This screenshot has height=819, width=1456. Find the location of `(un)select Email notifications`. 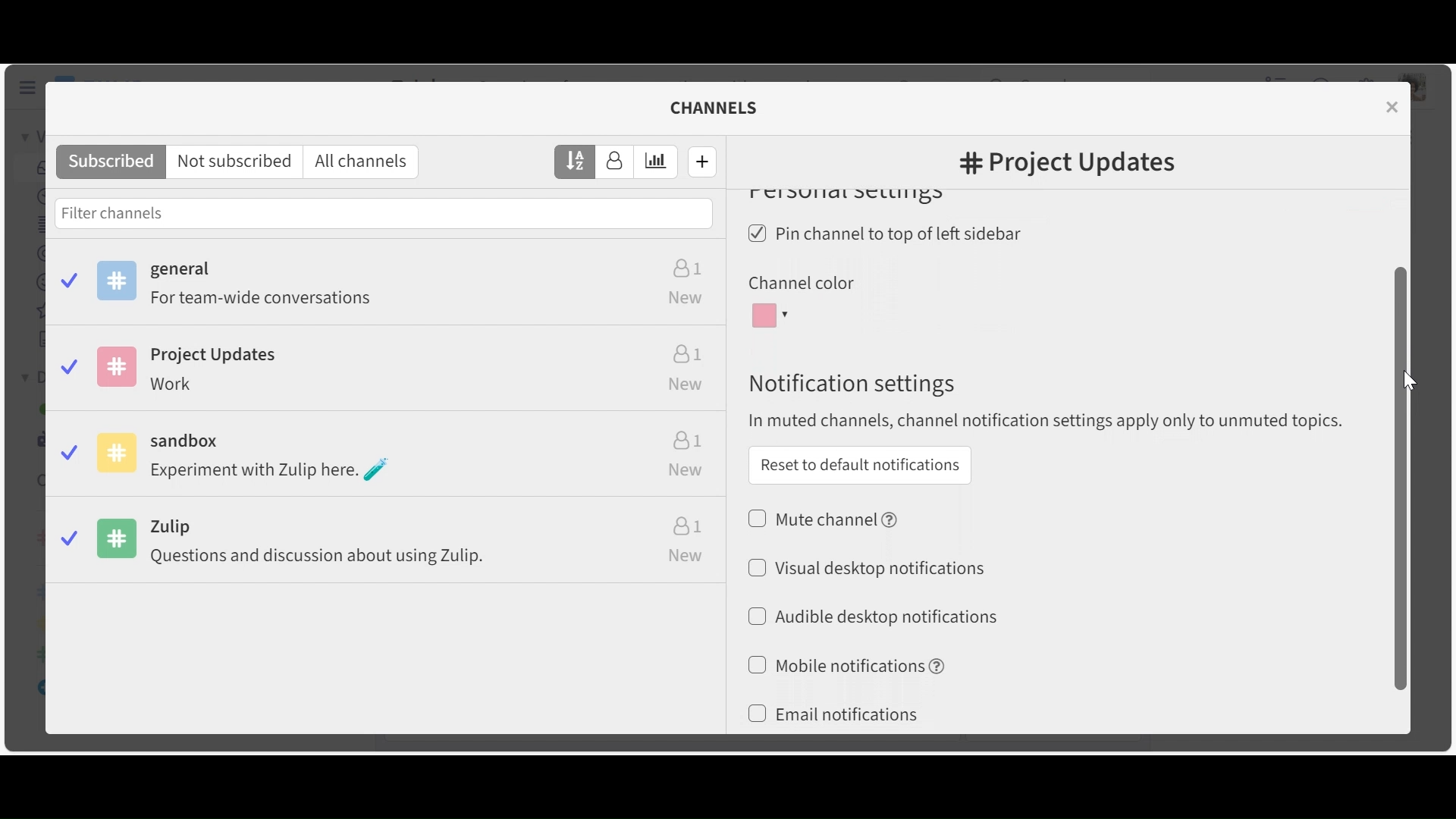

(un)select Email notifications is located at coordinates (833, 715).